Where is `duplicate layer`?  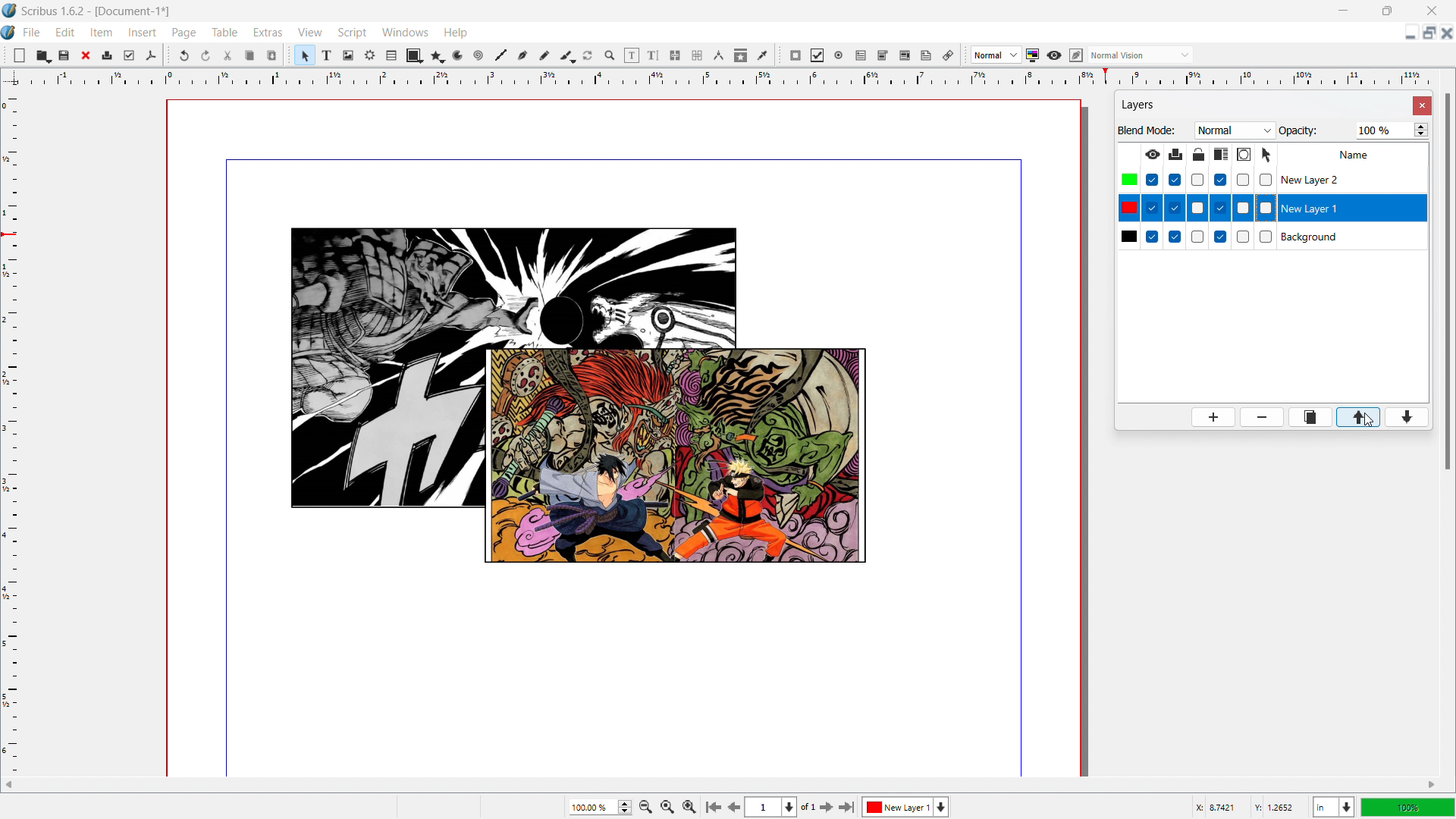
duplicate layer is located at coordinates (1309, 417).